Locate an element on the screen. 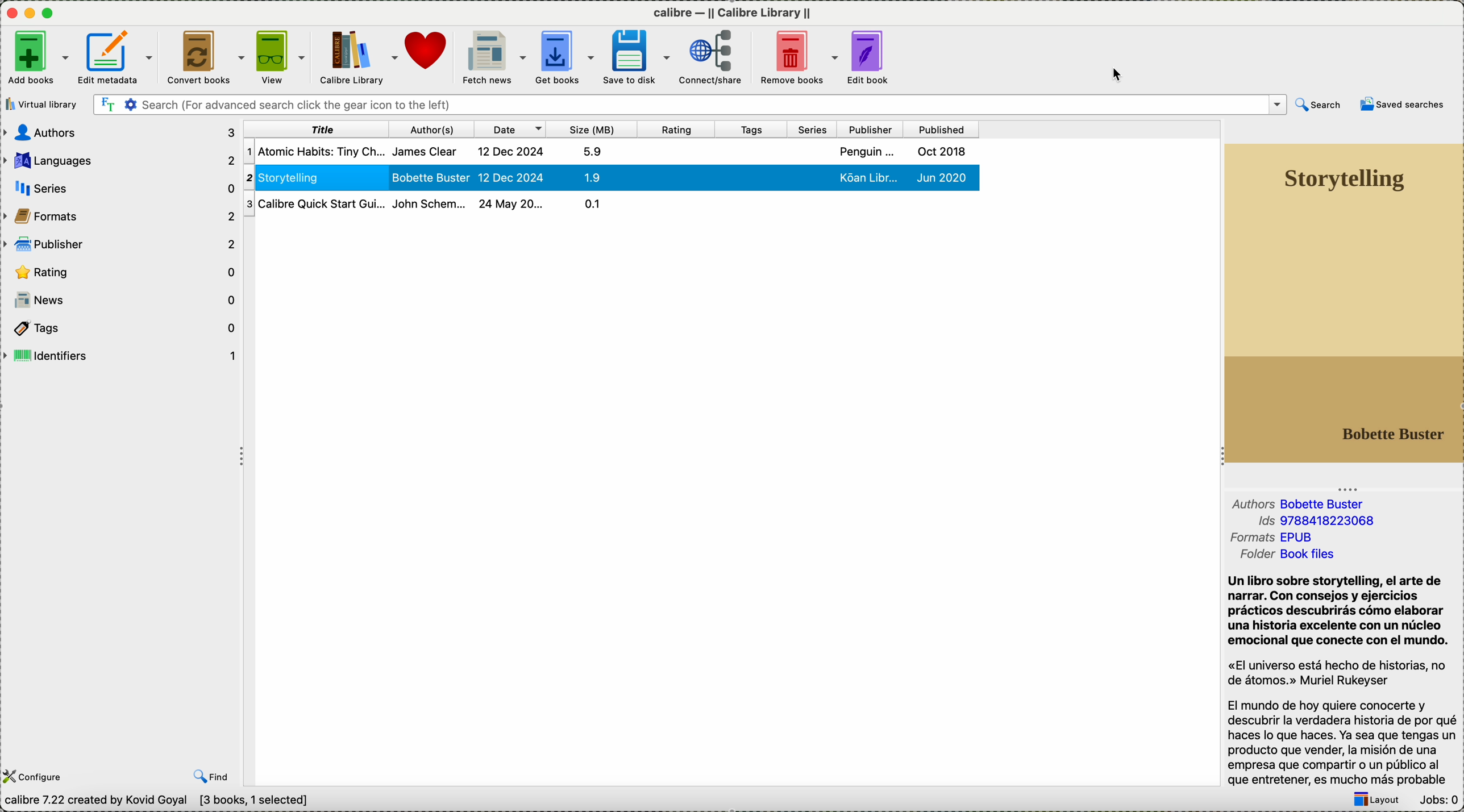 This screenshot has height=812, width=1464. size is located at coordinates (594, 130).